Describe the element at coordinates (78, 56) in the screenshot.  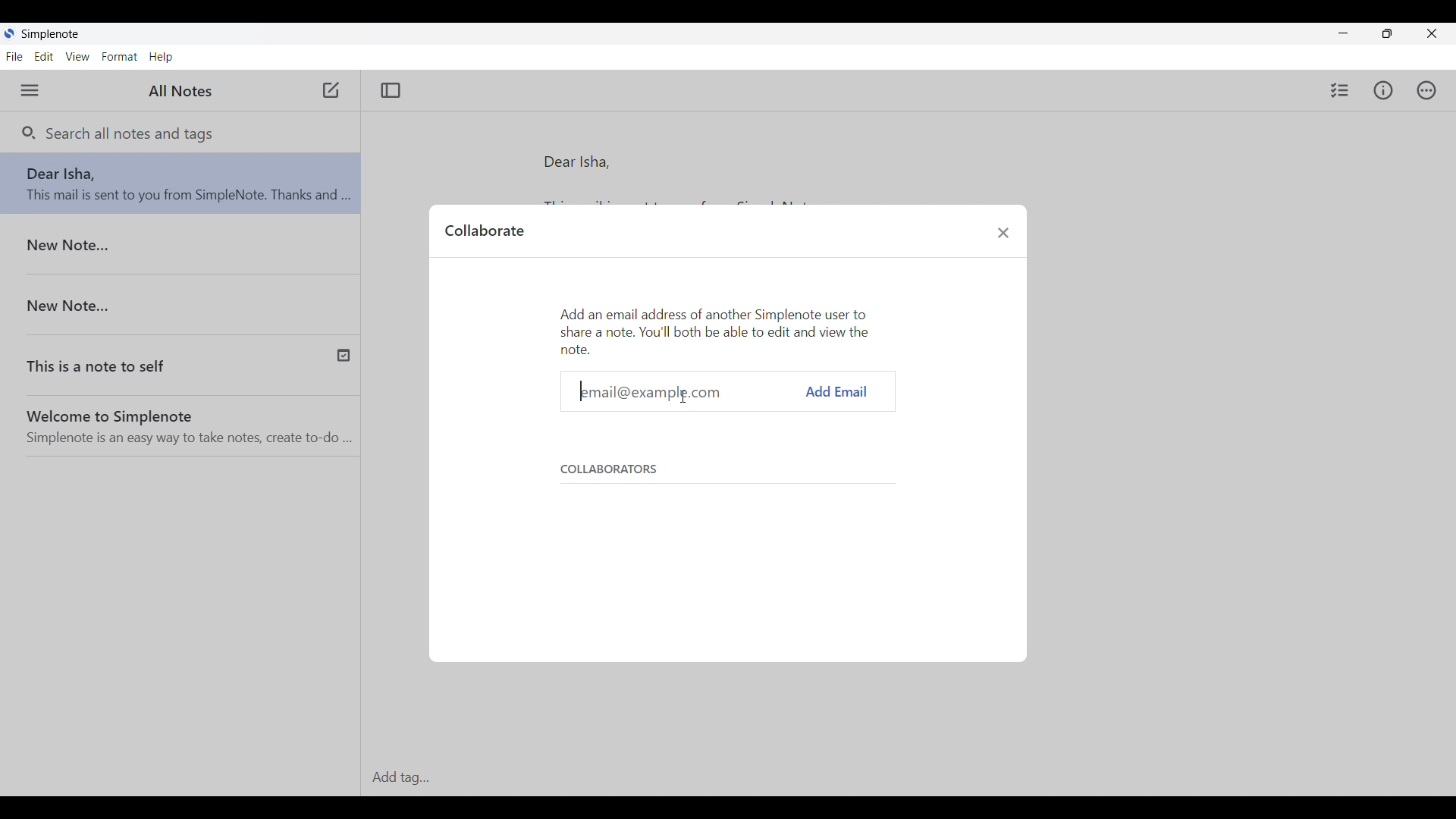
I see `View` at that location.